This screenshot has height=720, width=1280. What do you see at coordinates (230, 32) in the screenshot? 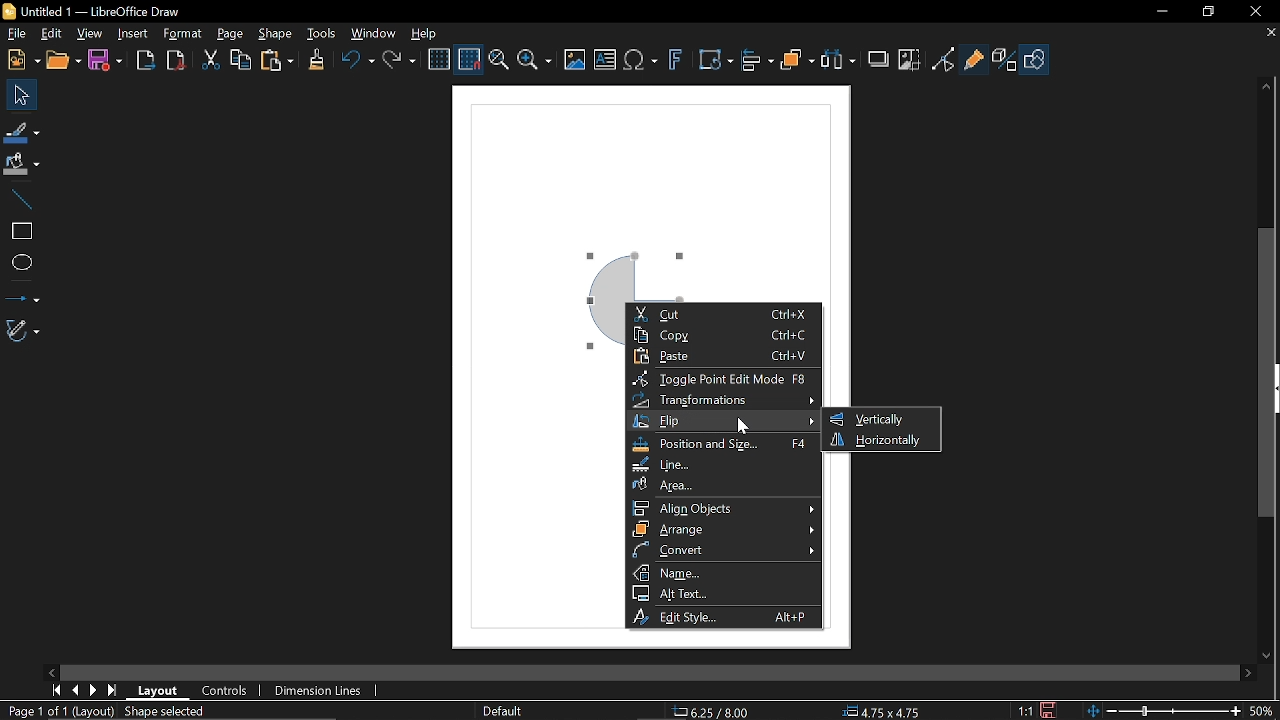
I see `page` at bounding box center [230, 32].